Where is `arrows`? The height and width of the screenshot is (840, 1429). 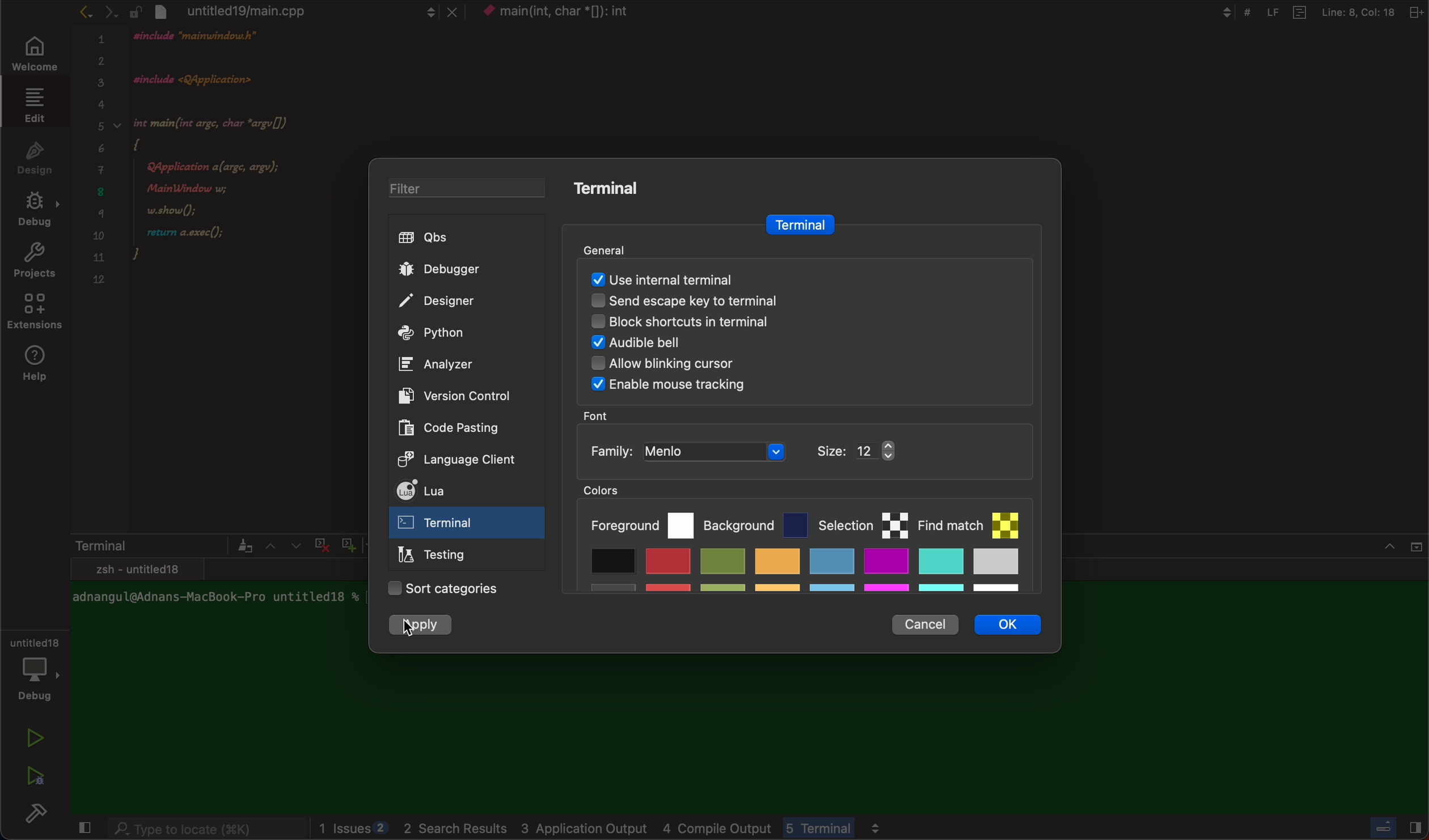 arrows is located at coordinates (282, 545).